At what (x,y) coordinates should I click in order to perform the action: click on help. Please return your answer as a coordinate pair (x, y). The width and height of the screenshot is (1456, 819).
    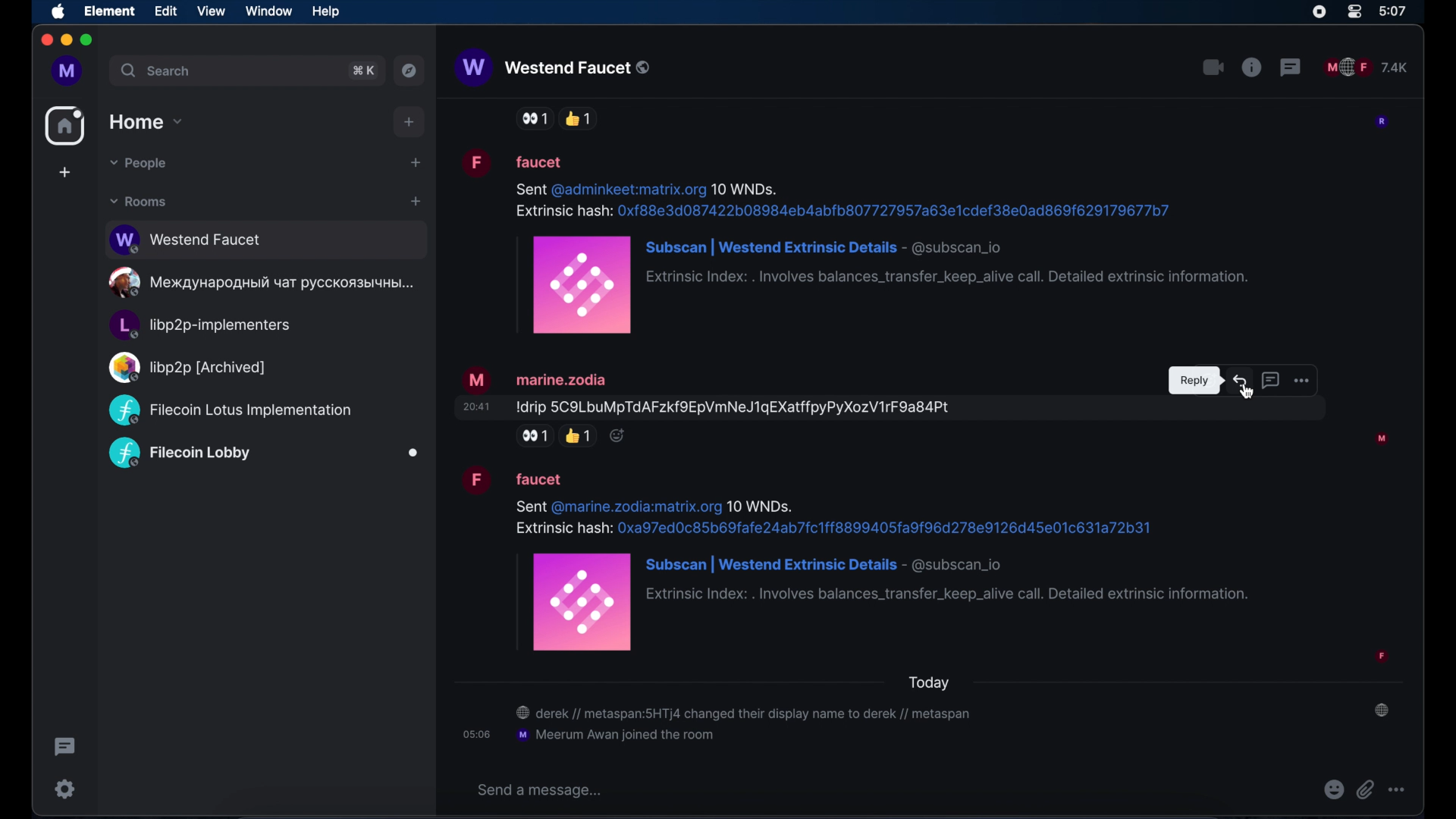
    Looking at the image, I should click on (325, 11).